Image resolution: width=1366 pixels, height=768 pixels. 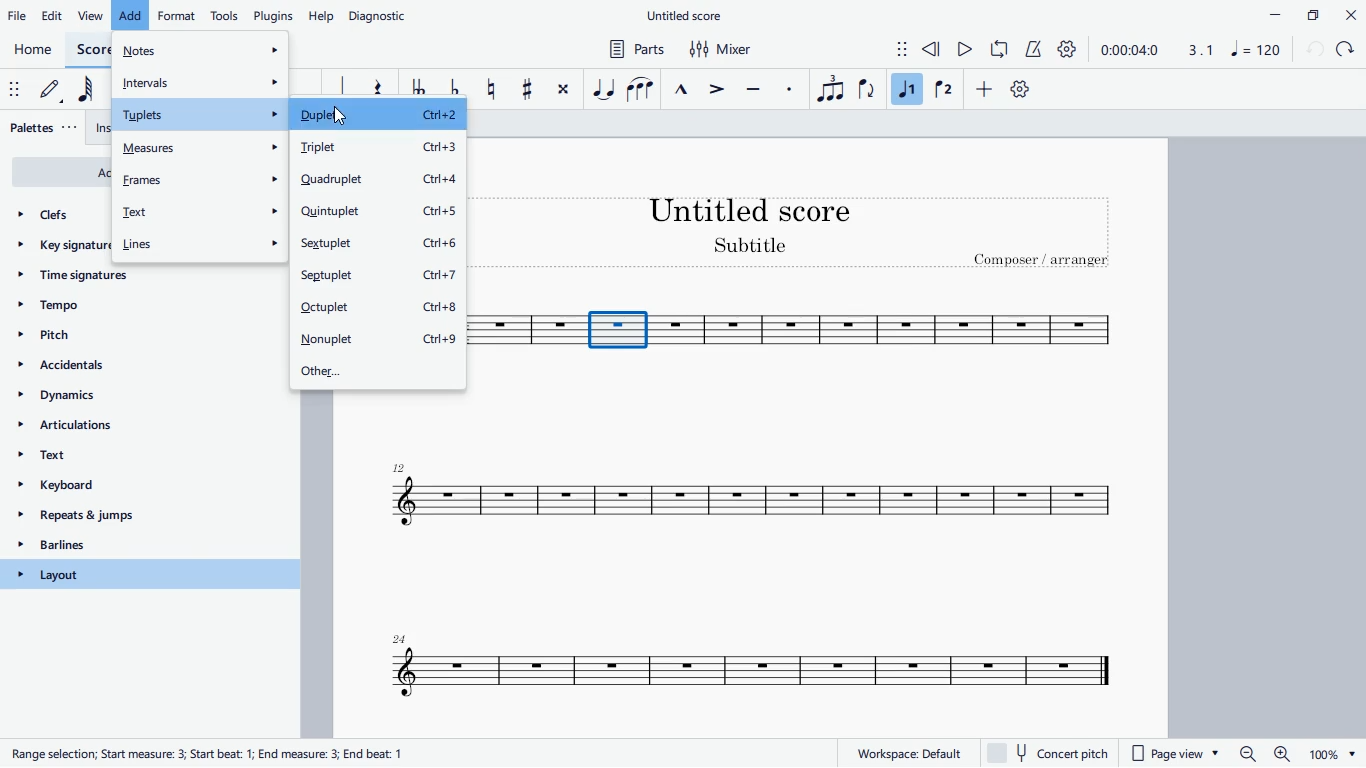 I want to click on score subtitle, so click(x=754, y=247).